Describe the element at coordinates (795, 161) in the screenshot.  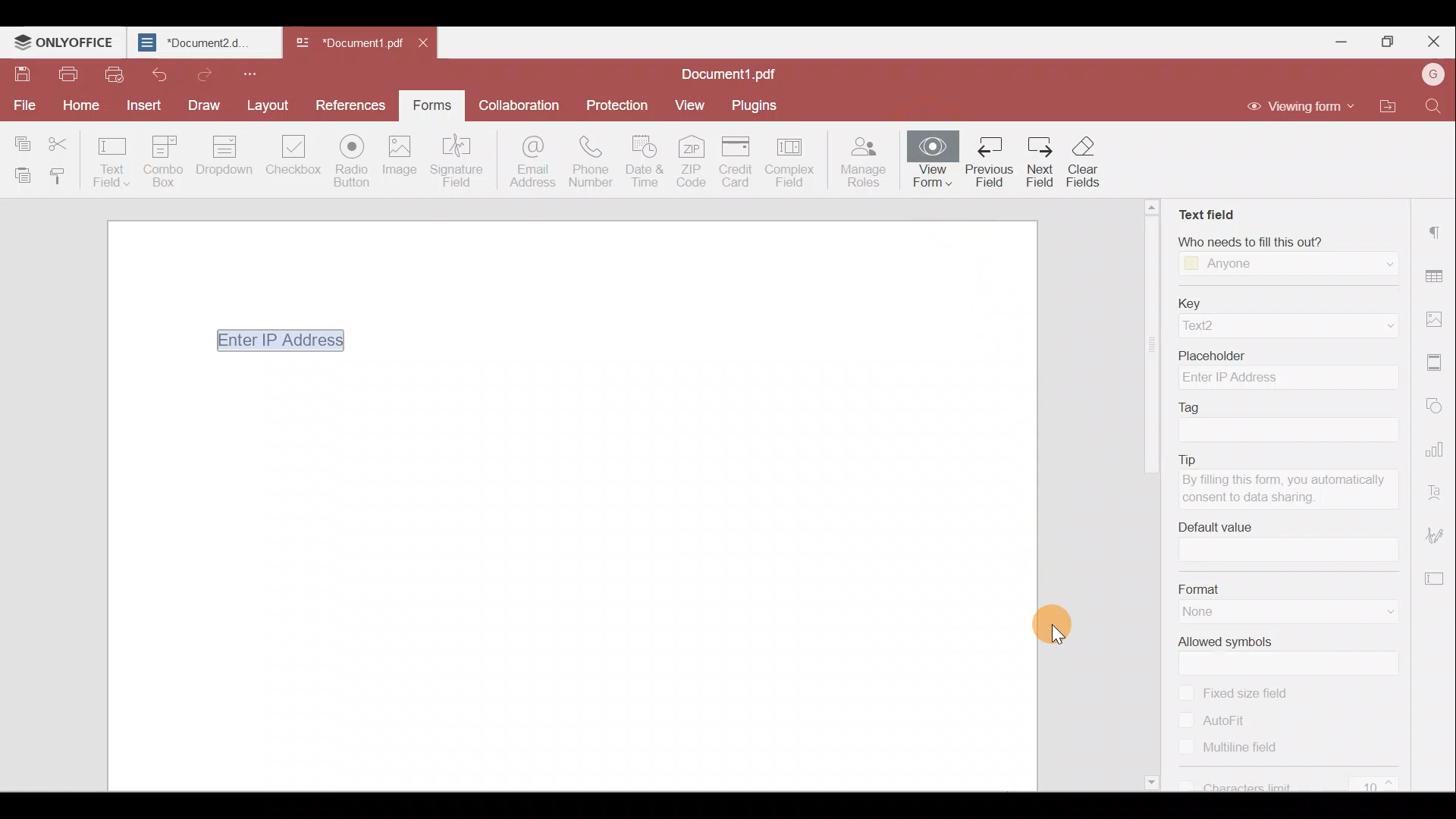
I see `Complex field` at that location.